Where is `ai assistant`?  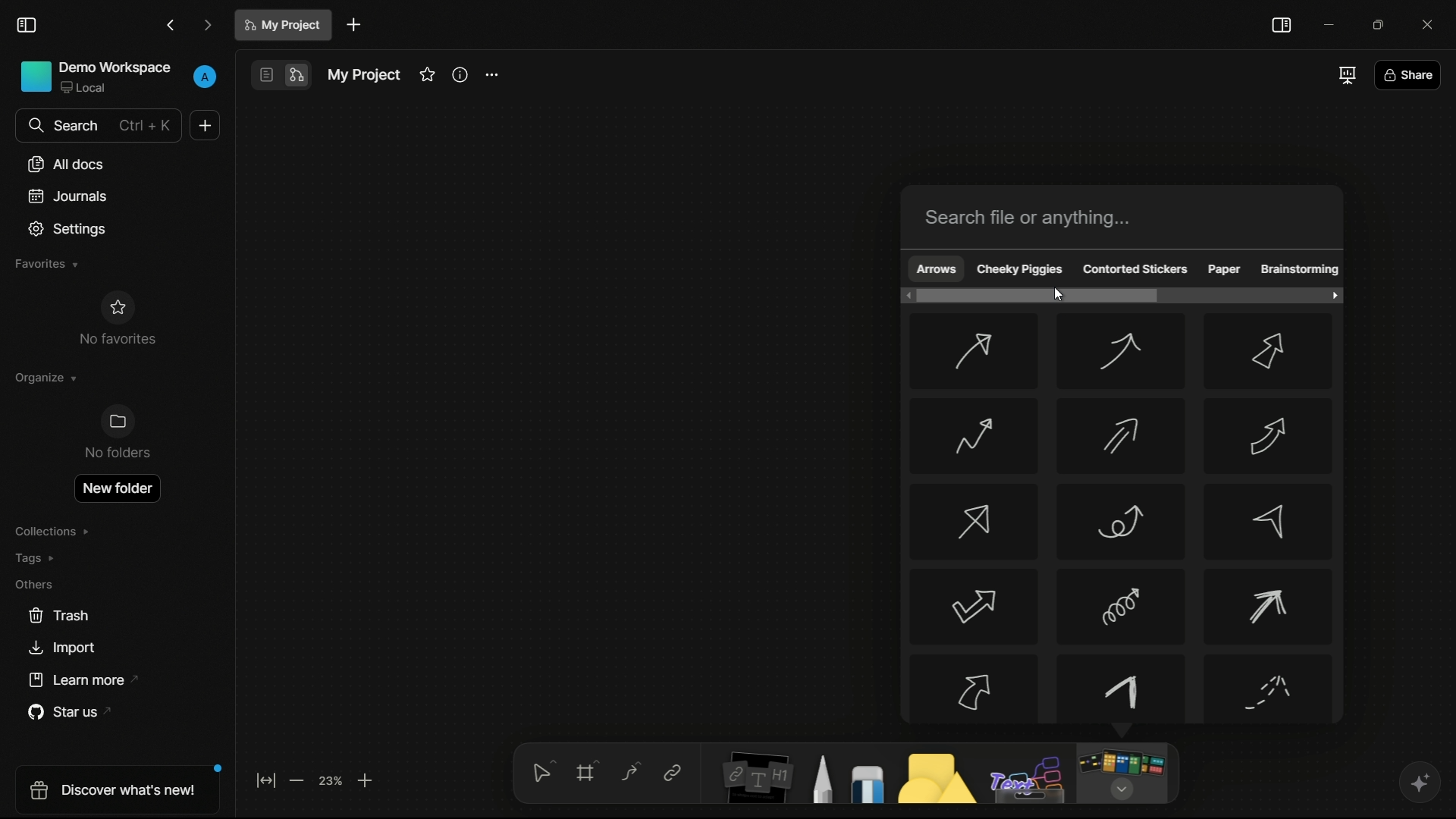 ai assistant is located at coordinates (1419, 783).